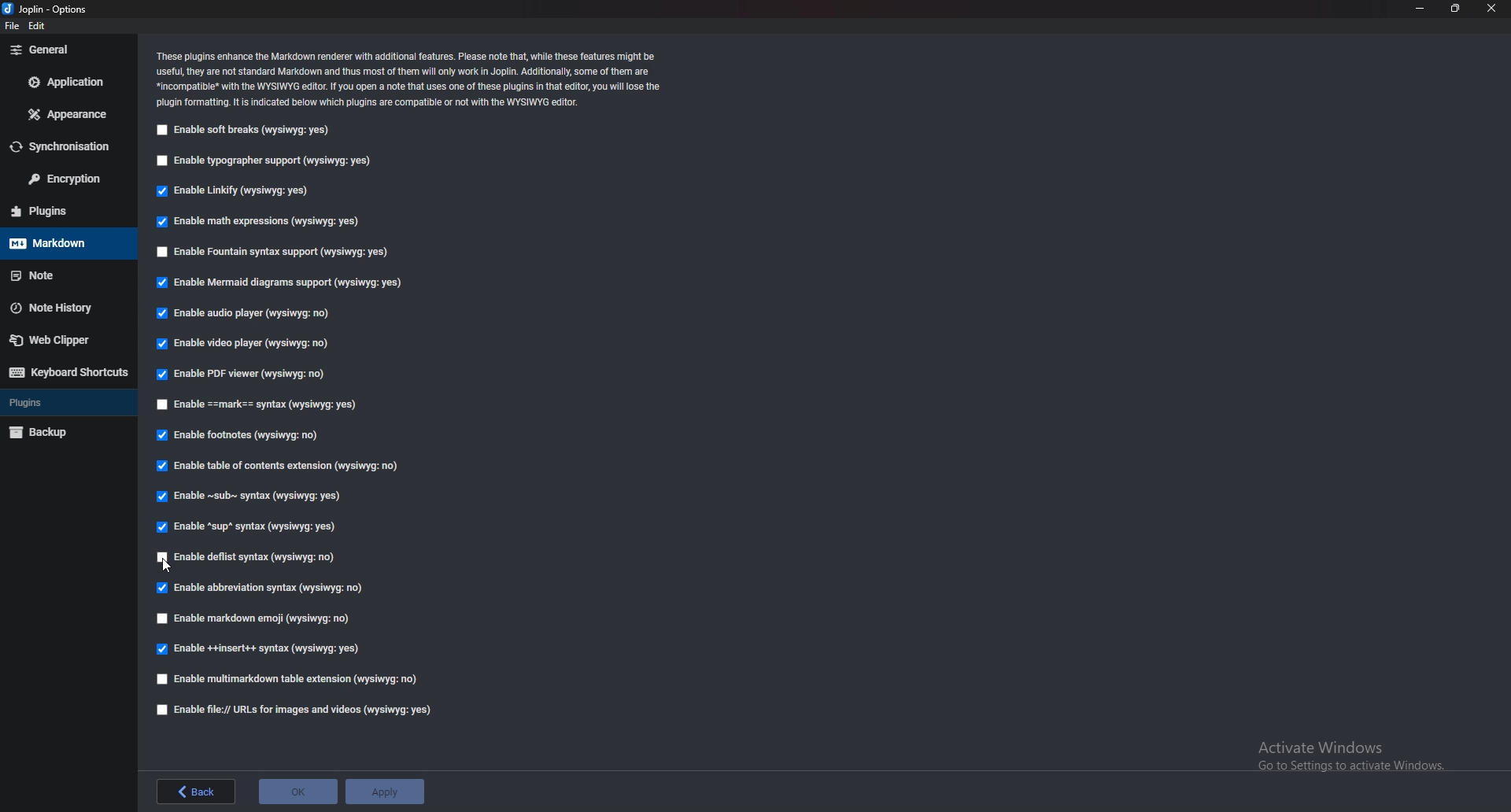 Image resolution: width=1511 pixels, height=812 pixels. Describe the element at coordinates (295, 710) in the screenshot. I see `enable file urls for images and videos` at that location.